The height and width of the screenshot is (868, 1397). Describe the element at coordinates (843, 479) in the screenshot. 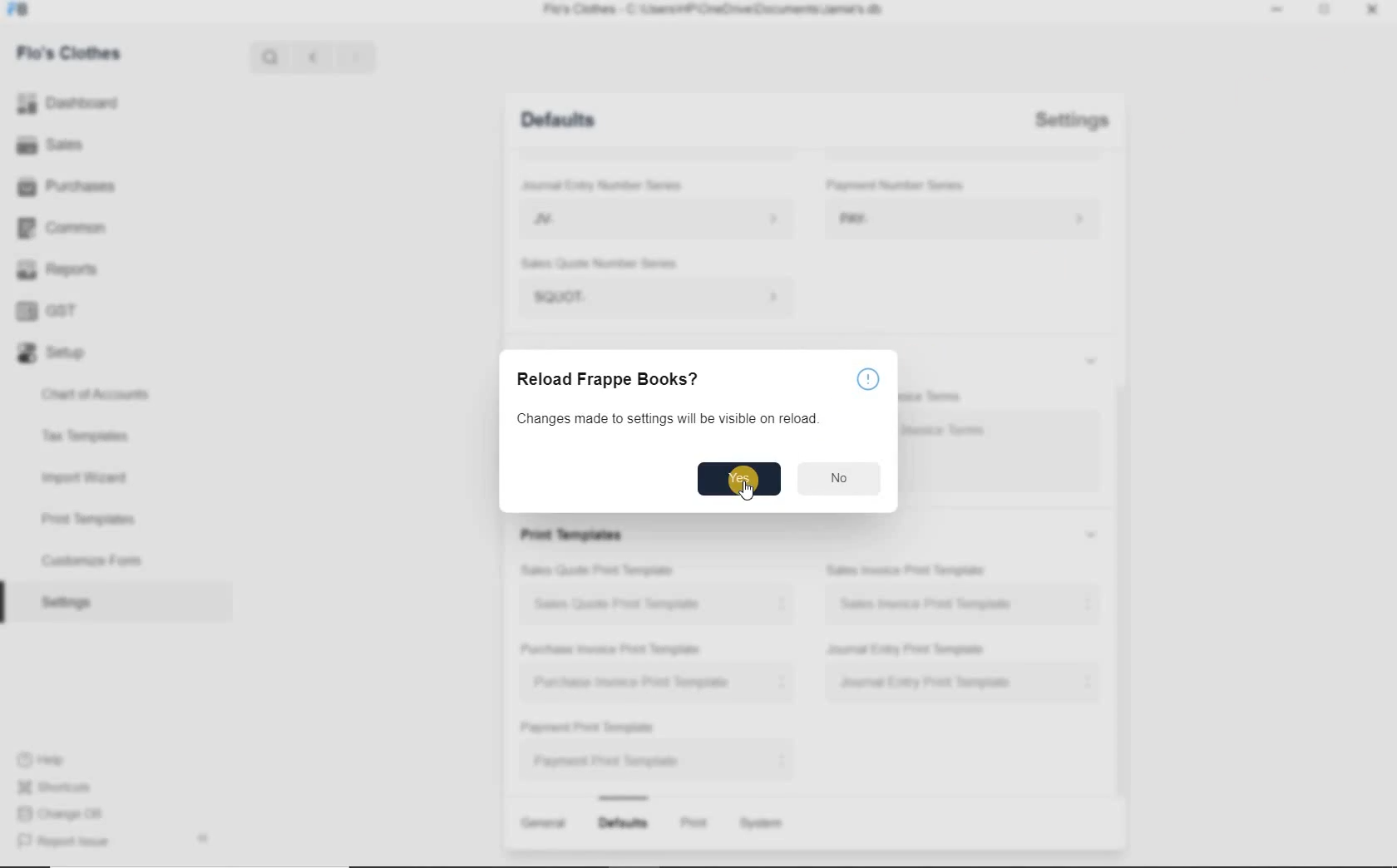

I see `No` at that location.